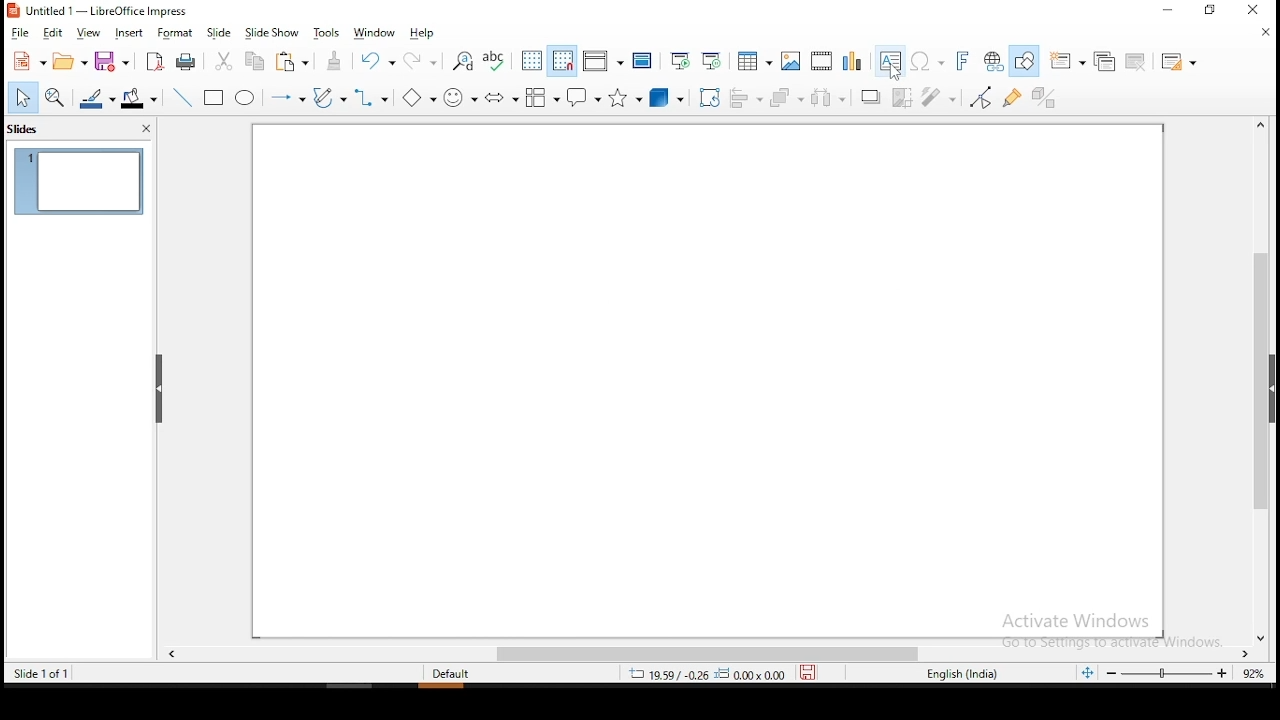  Describe the element at coordinates (642, 61) in the screenshot. I see `master slide` at that location.